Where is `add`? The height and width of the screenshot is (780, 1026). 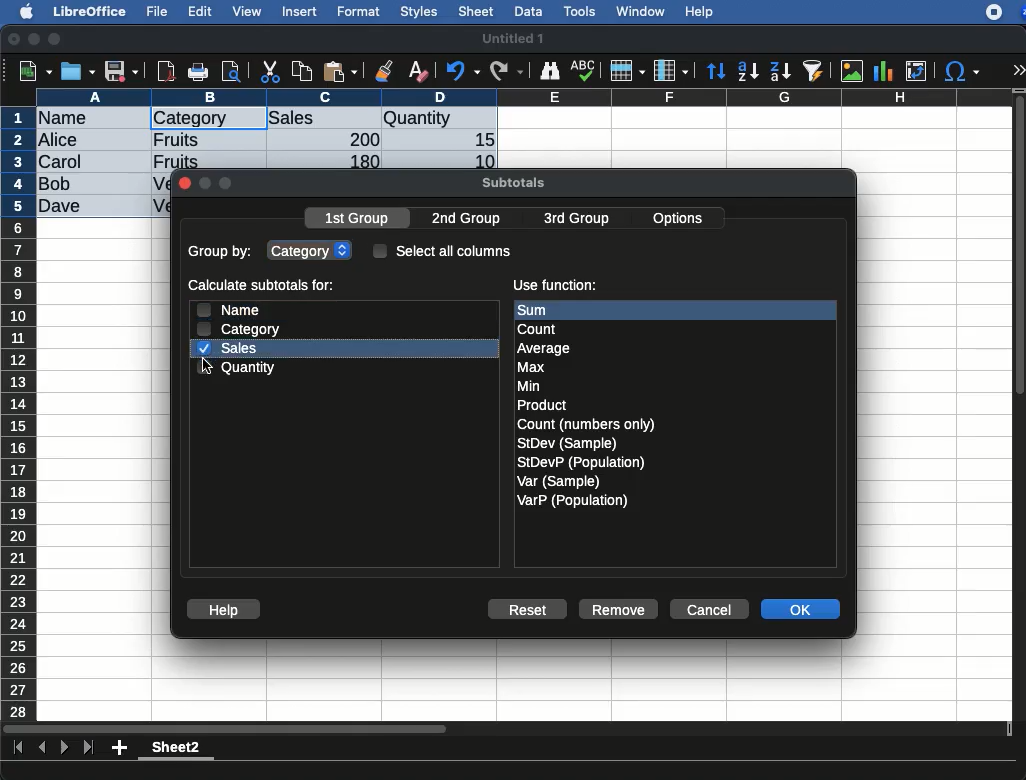 add is located at coordinates (121, 747).